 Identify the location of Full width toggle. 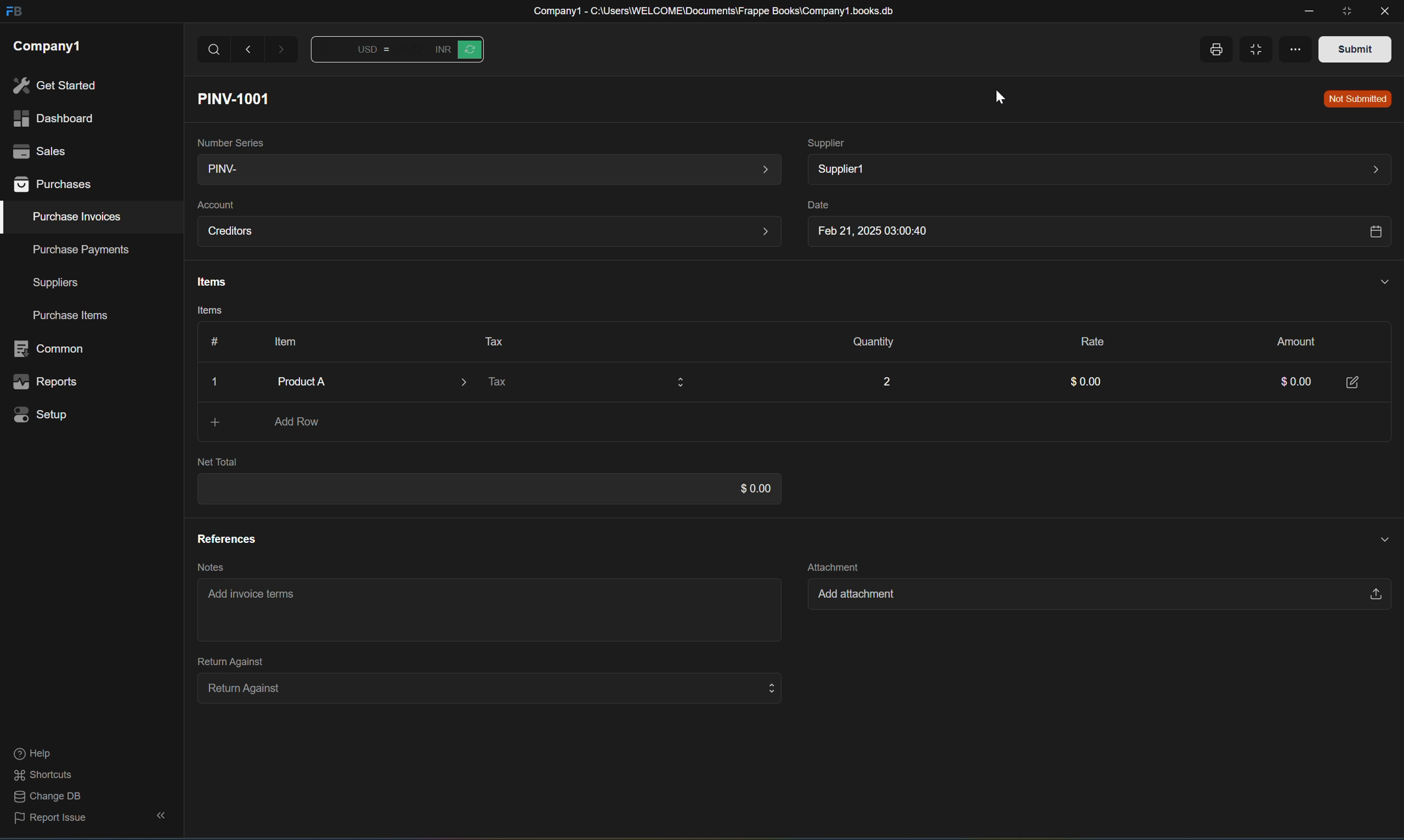
(1262, 50).